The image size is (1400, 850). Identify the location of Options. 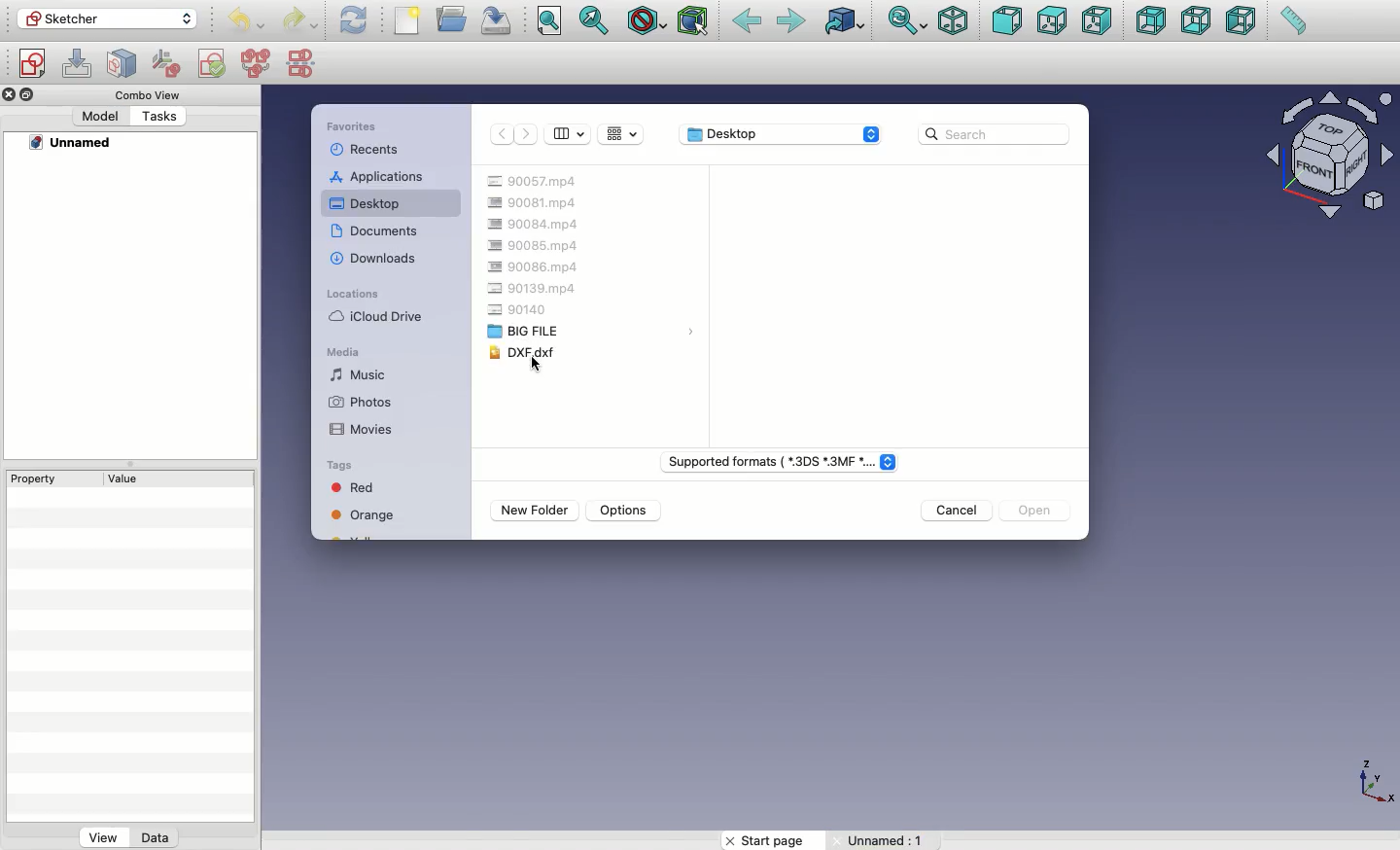
(625, 511).